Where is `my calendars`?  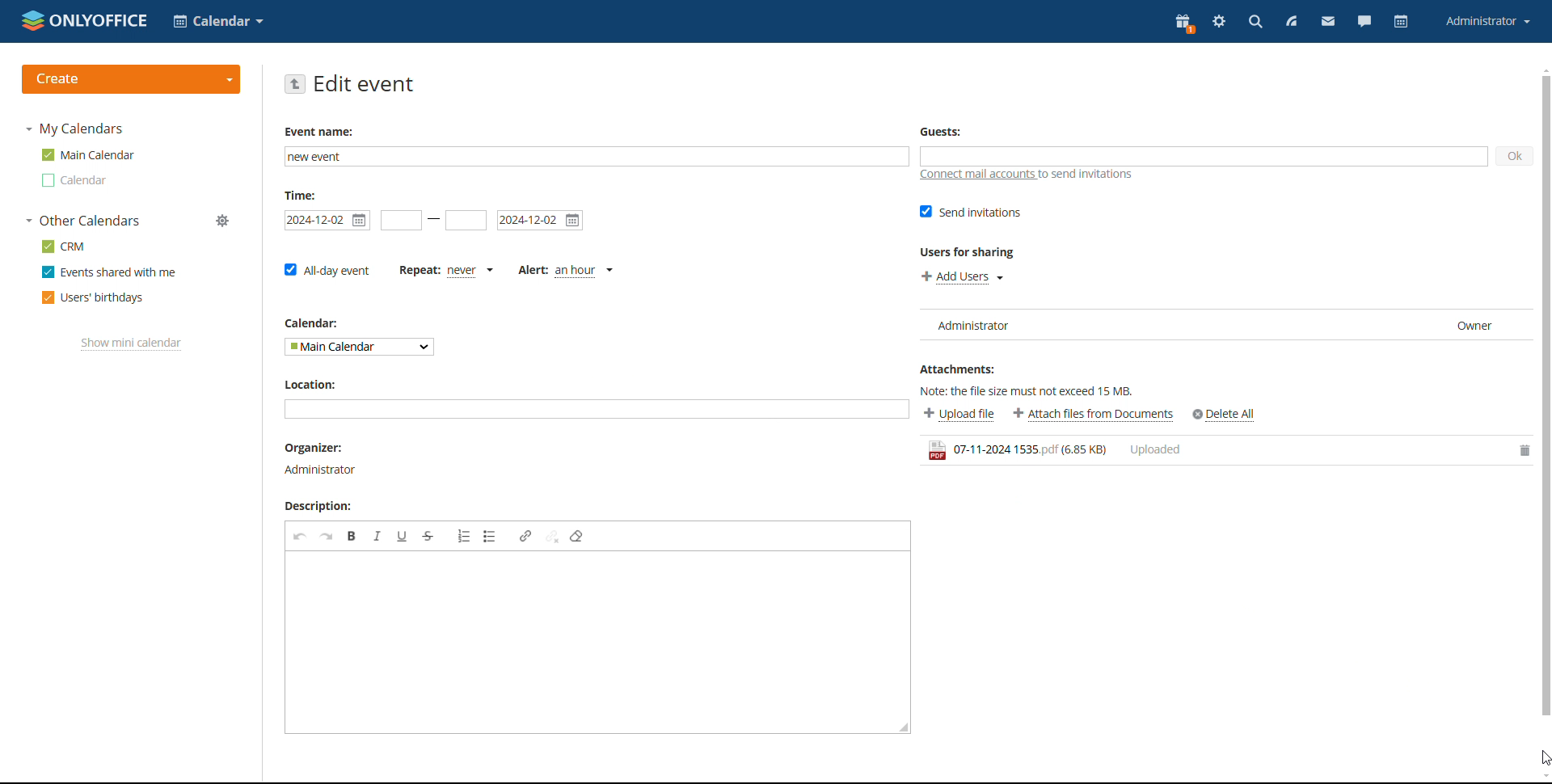
my calendars is located at coordinates (73, 129).